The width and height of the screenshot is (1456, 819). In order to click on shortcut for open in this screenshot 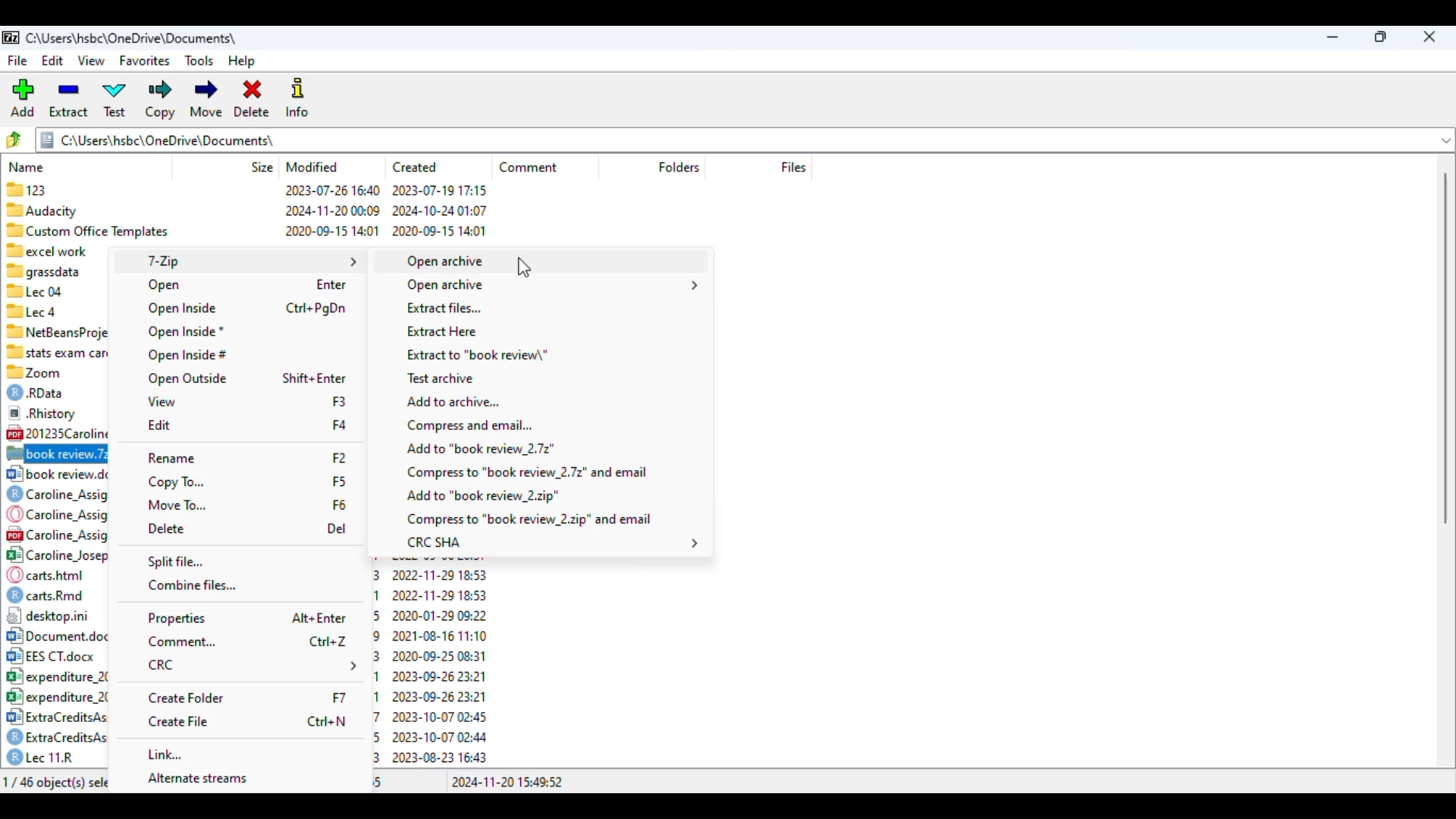, I will do `click(331, 285)`.